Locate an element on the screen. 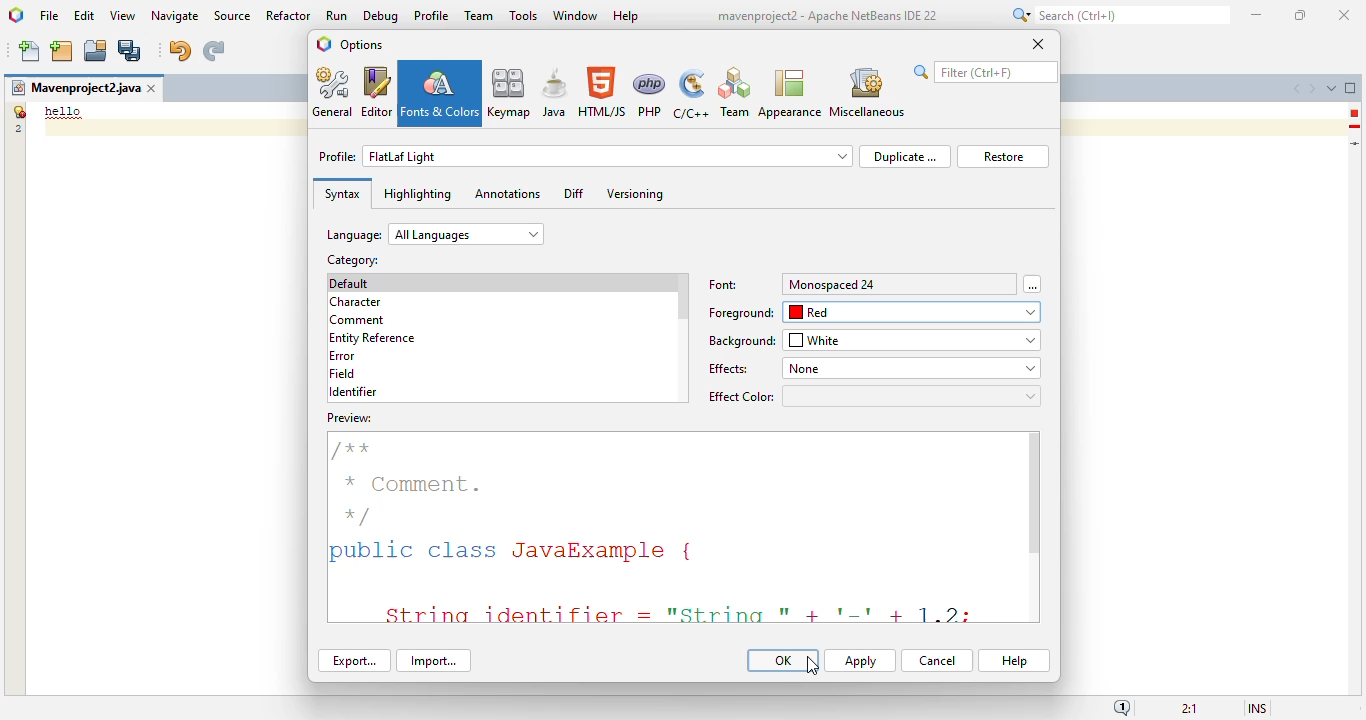  editor is located at coordinates (377, 92).